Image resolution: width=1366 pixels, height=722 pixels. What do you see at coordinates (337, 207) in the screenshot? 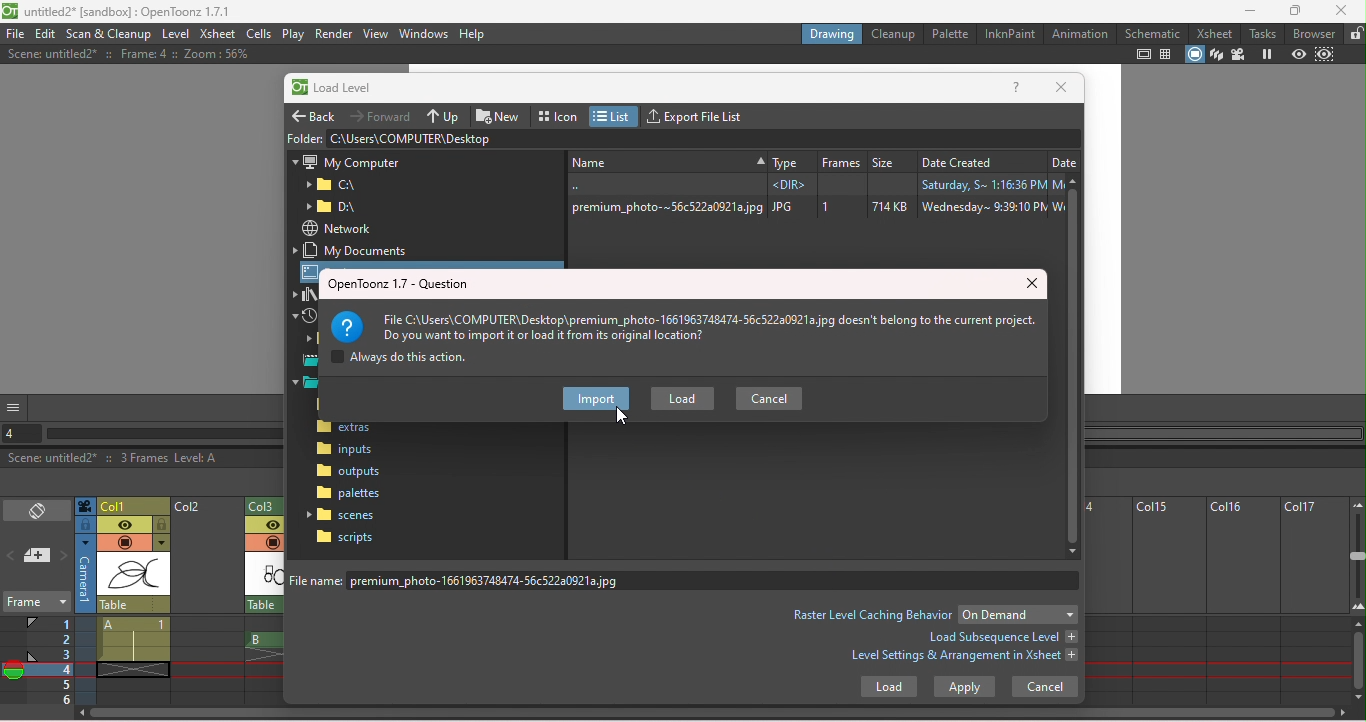
I see `Folder` at bounding box center [337, 207].